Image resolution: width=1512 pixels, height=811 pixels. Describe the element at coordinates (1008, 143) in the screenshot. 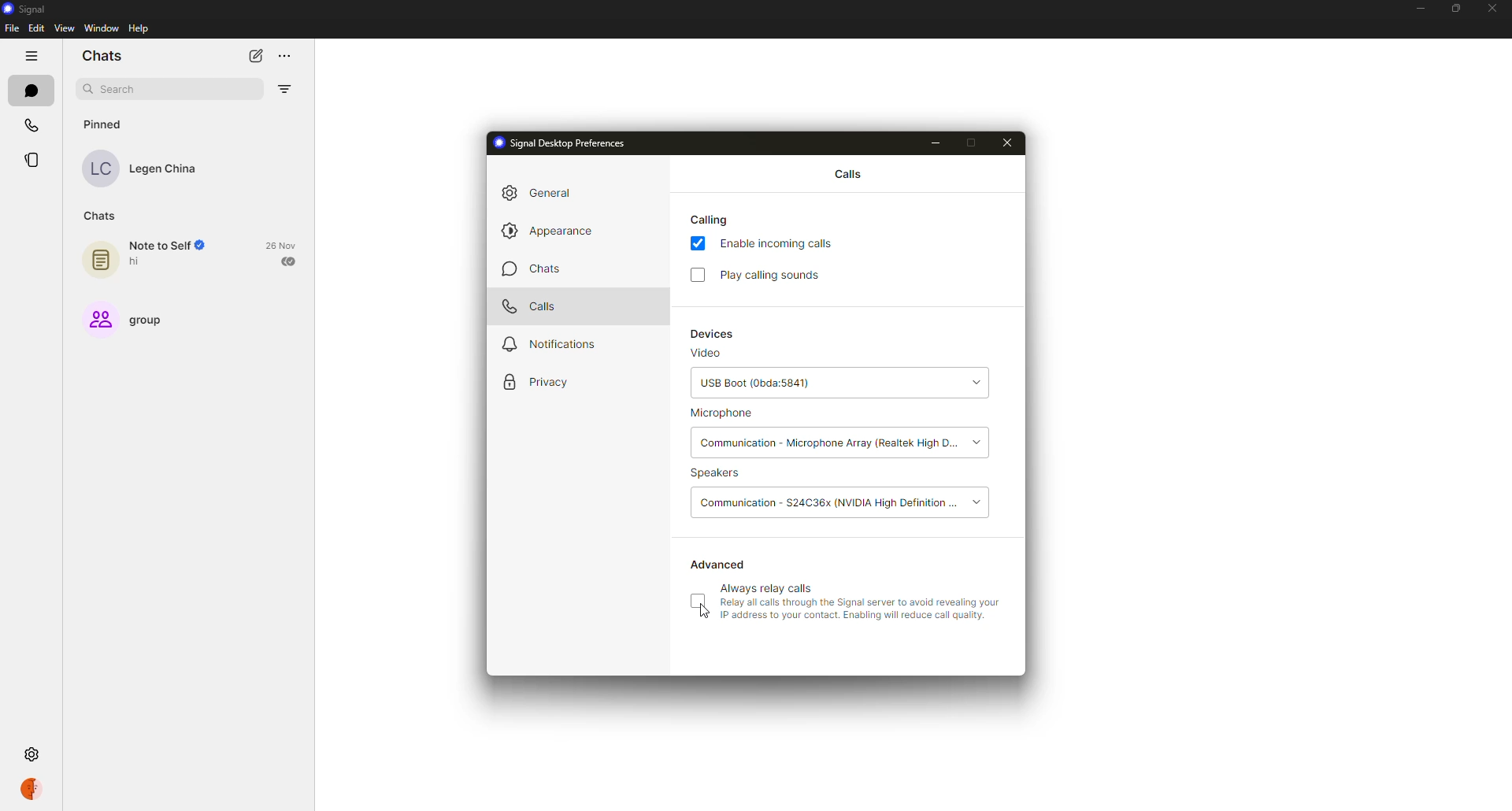

I see `close` at that location.